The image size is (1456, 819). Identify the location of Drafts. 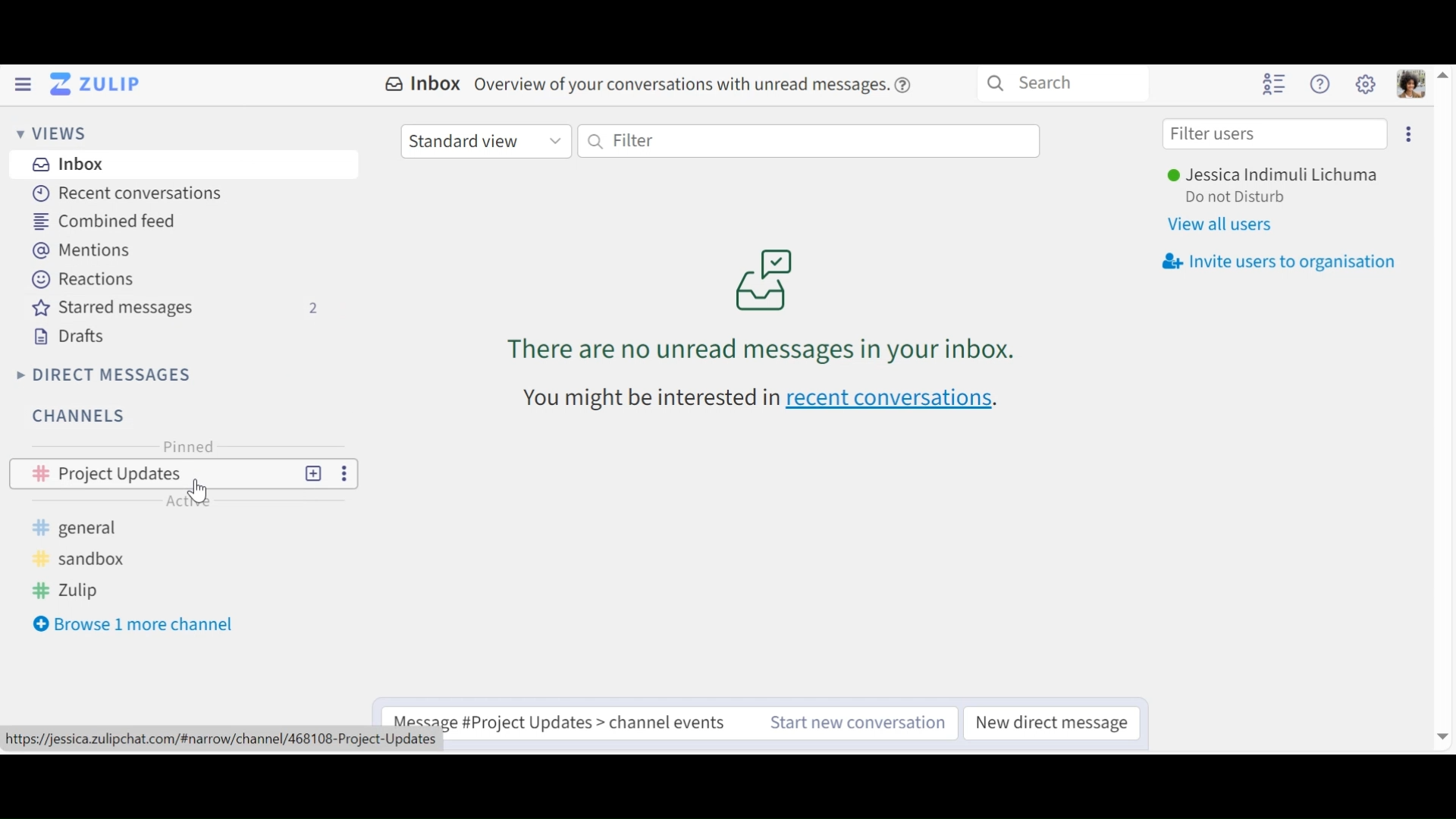
(69, 337).